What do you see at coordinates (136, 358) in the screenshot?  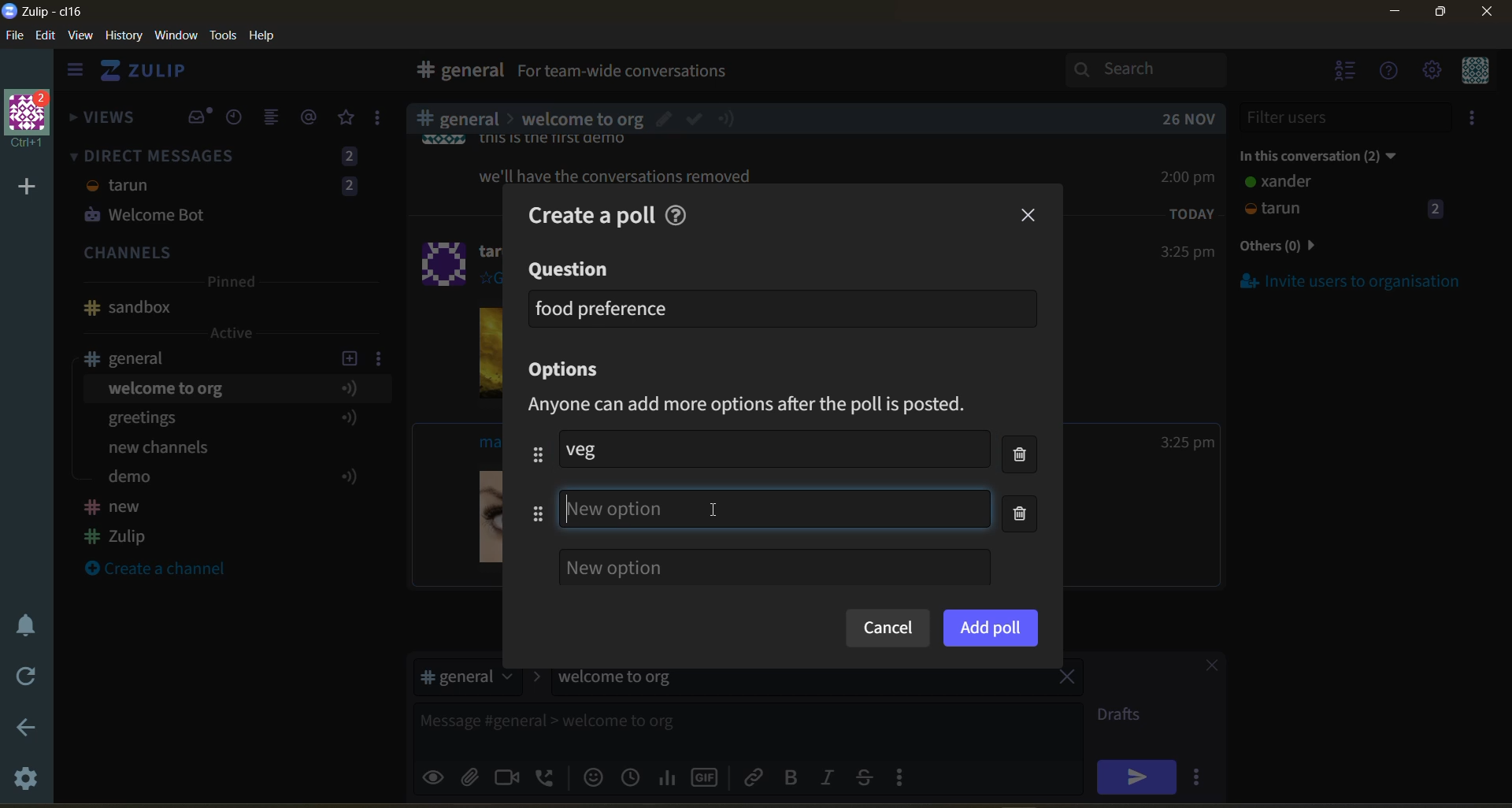 I see `channel name` at bounding box center [136, 358].